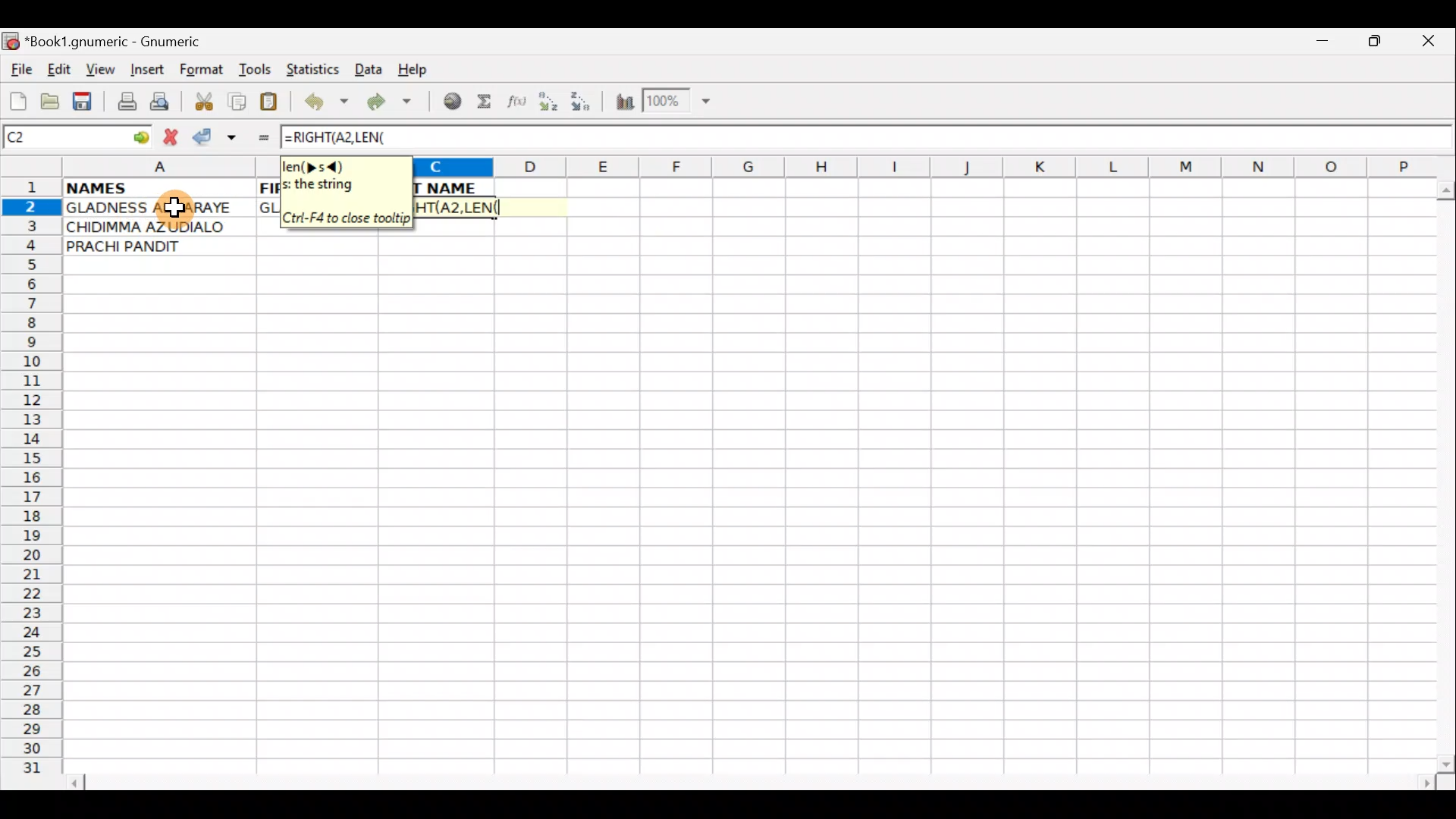 Image resolution: width=1456 pixels, height=819 pixels. I want to click on Print file, so click(123, 103).